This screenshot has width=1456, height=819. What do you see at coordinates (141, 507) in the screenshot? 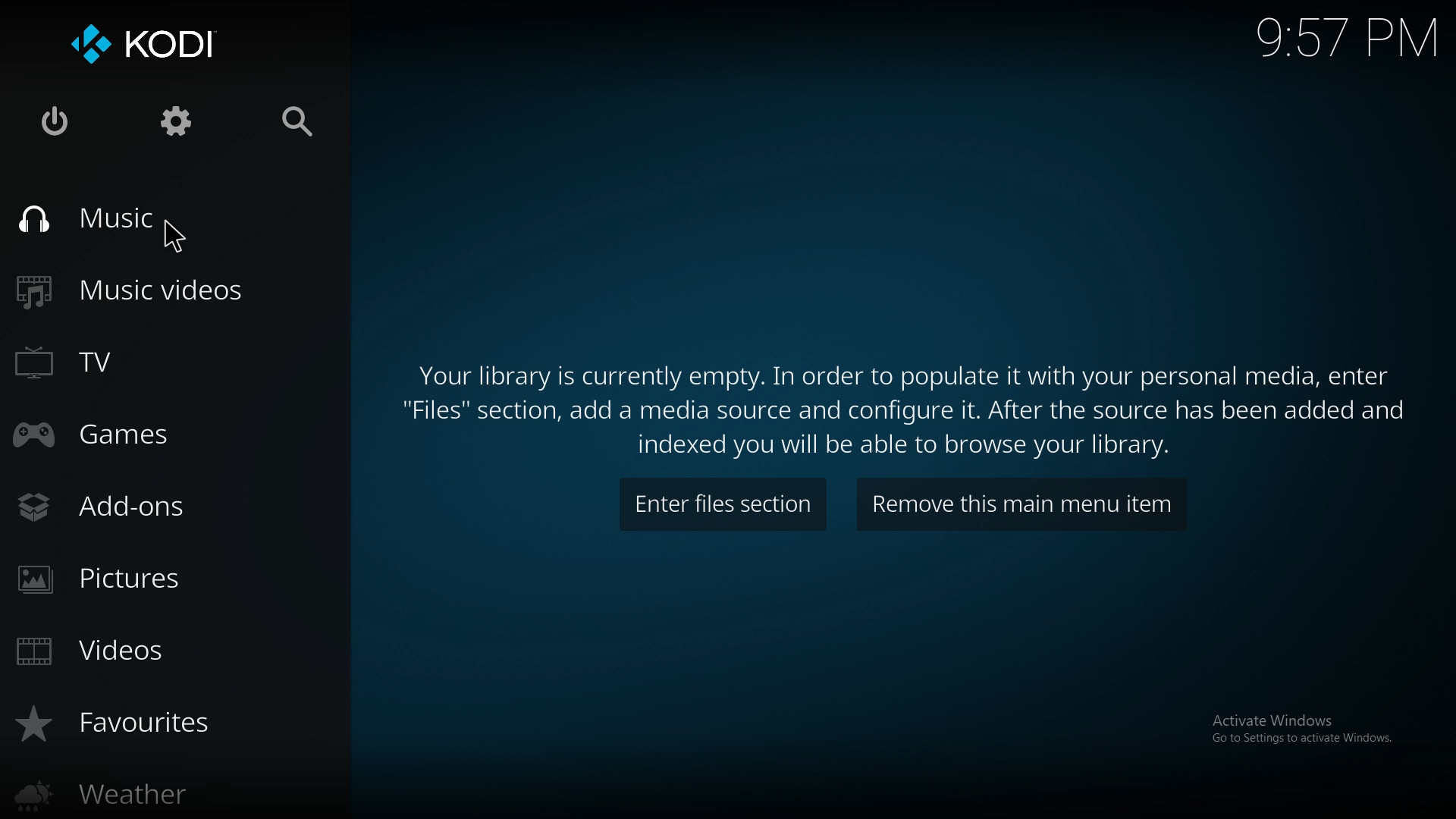
I see `add ons` at bounding box center [141, 507].